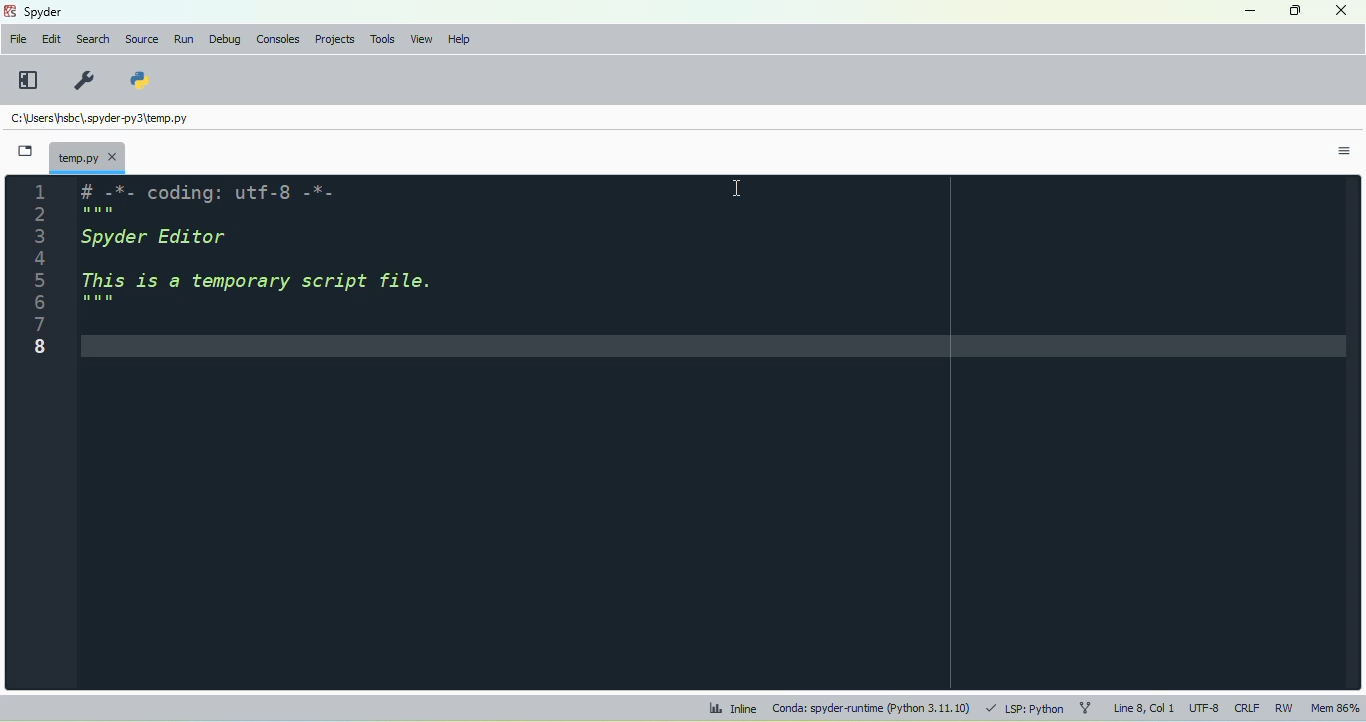 This screenshot has width=1366, height=722. What do you see at coordinates (277, 39) in the screenshot?
I see `consoles` at bounding box center [277, 39].